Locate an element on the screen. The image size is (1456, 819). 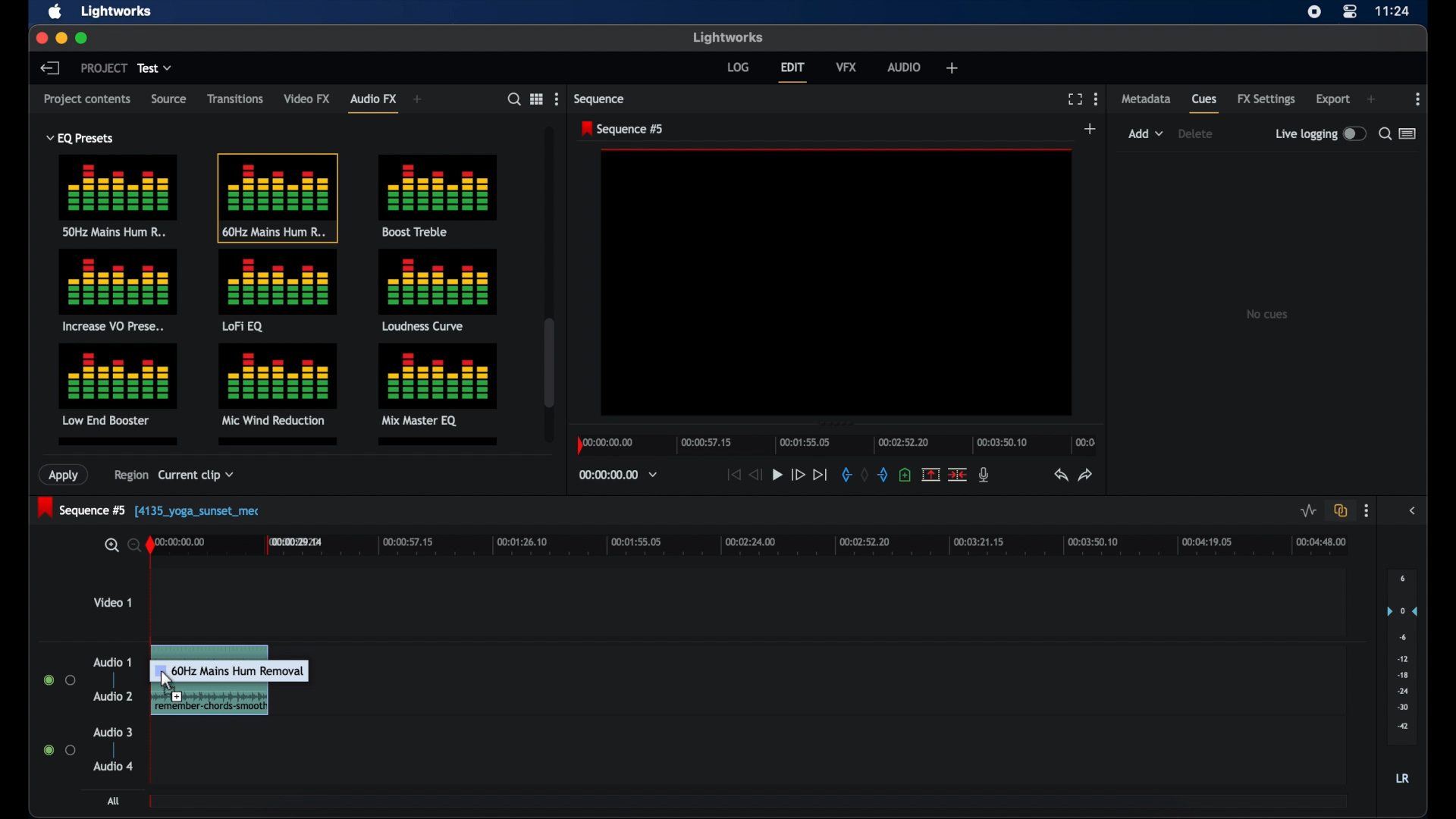
add is located at coordinates (1371, 99).